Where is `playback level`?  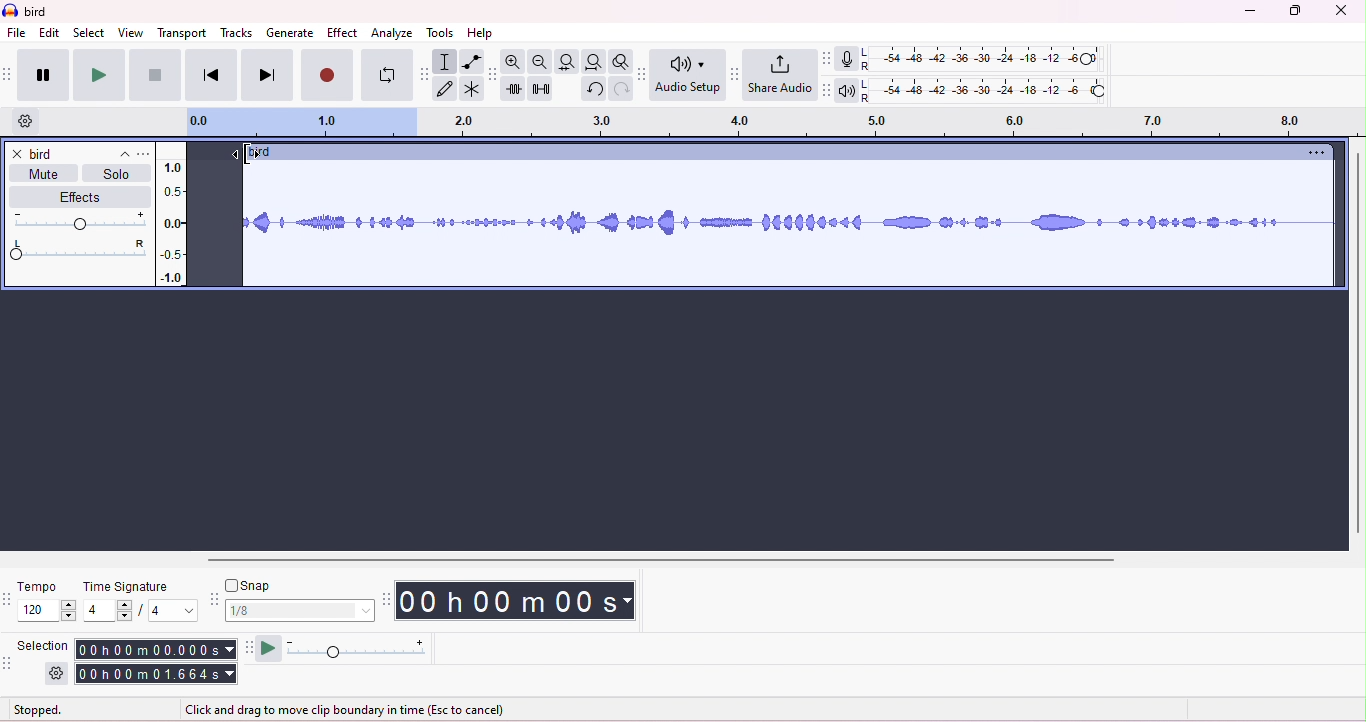 playback level is located at coordinates (983, 93).